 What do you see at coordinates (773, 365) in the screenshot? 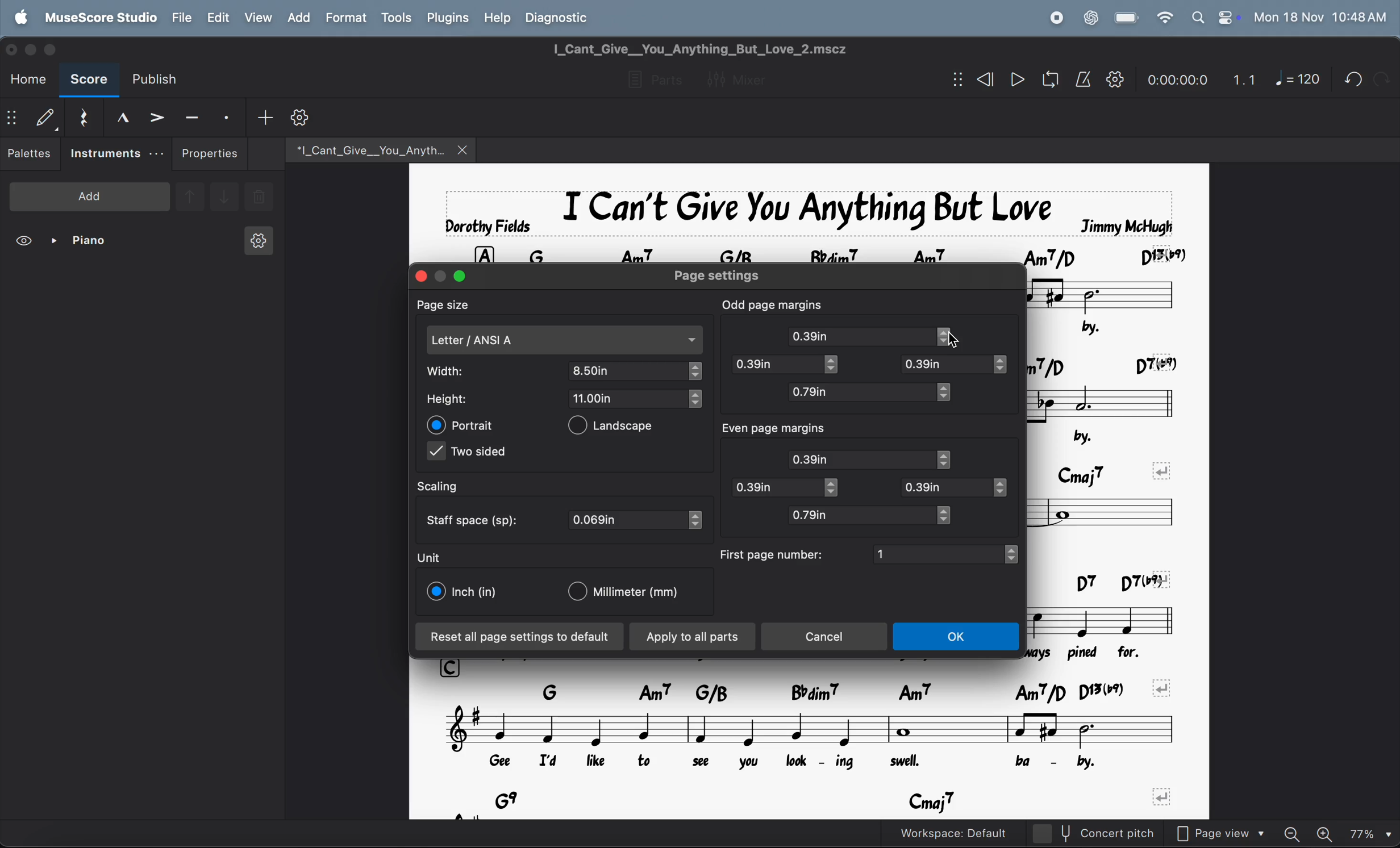
I see `0.39 in` at bounding box center [773, 365].